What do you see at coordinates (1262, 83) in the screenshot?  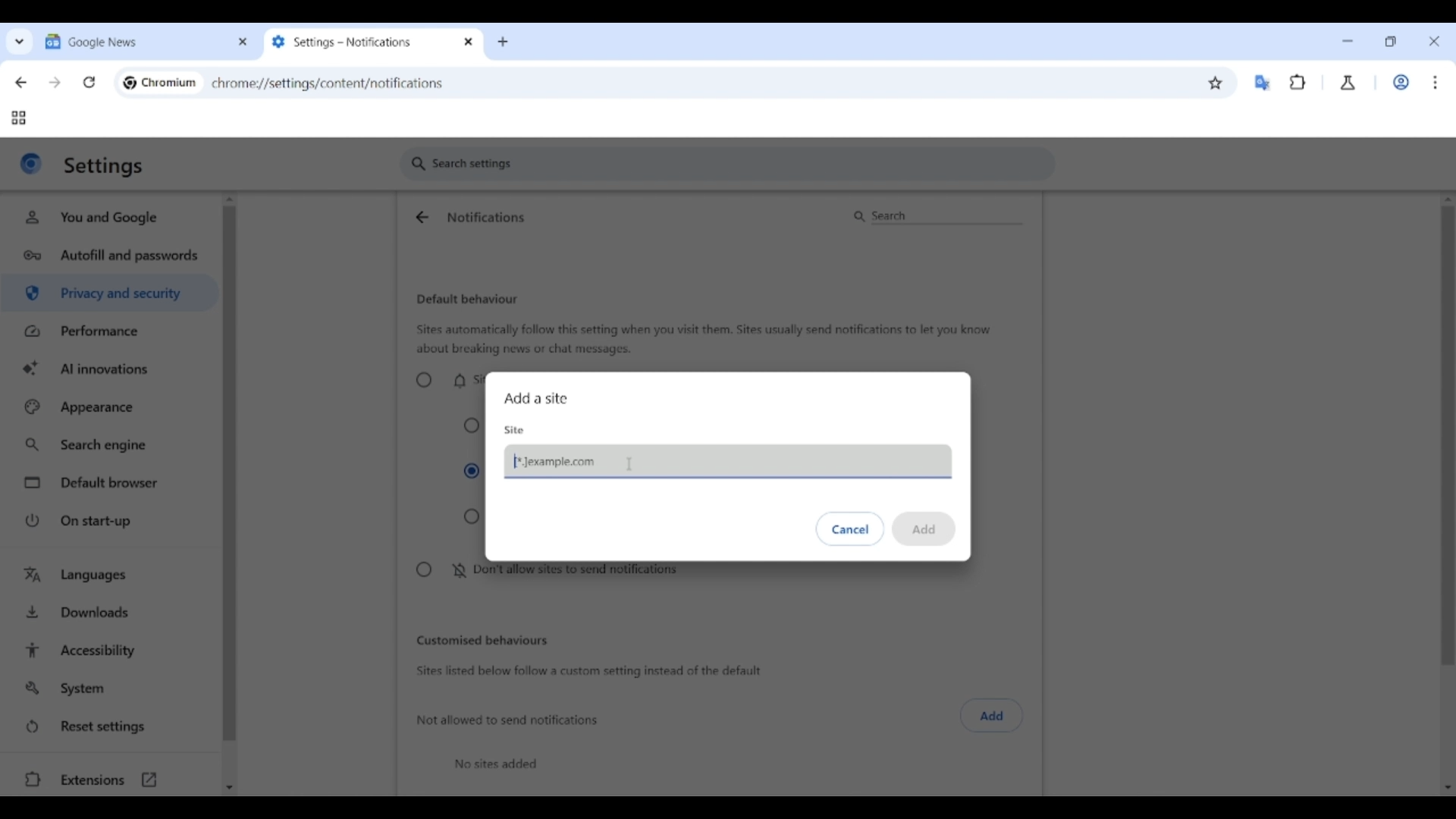 I see `Google translator extension` at bounding box center [1262, 83].